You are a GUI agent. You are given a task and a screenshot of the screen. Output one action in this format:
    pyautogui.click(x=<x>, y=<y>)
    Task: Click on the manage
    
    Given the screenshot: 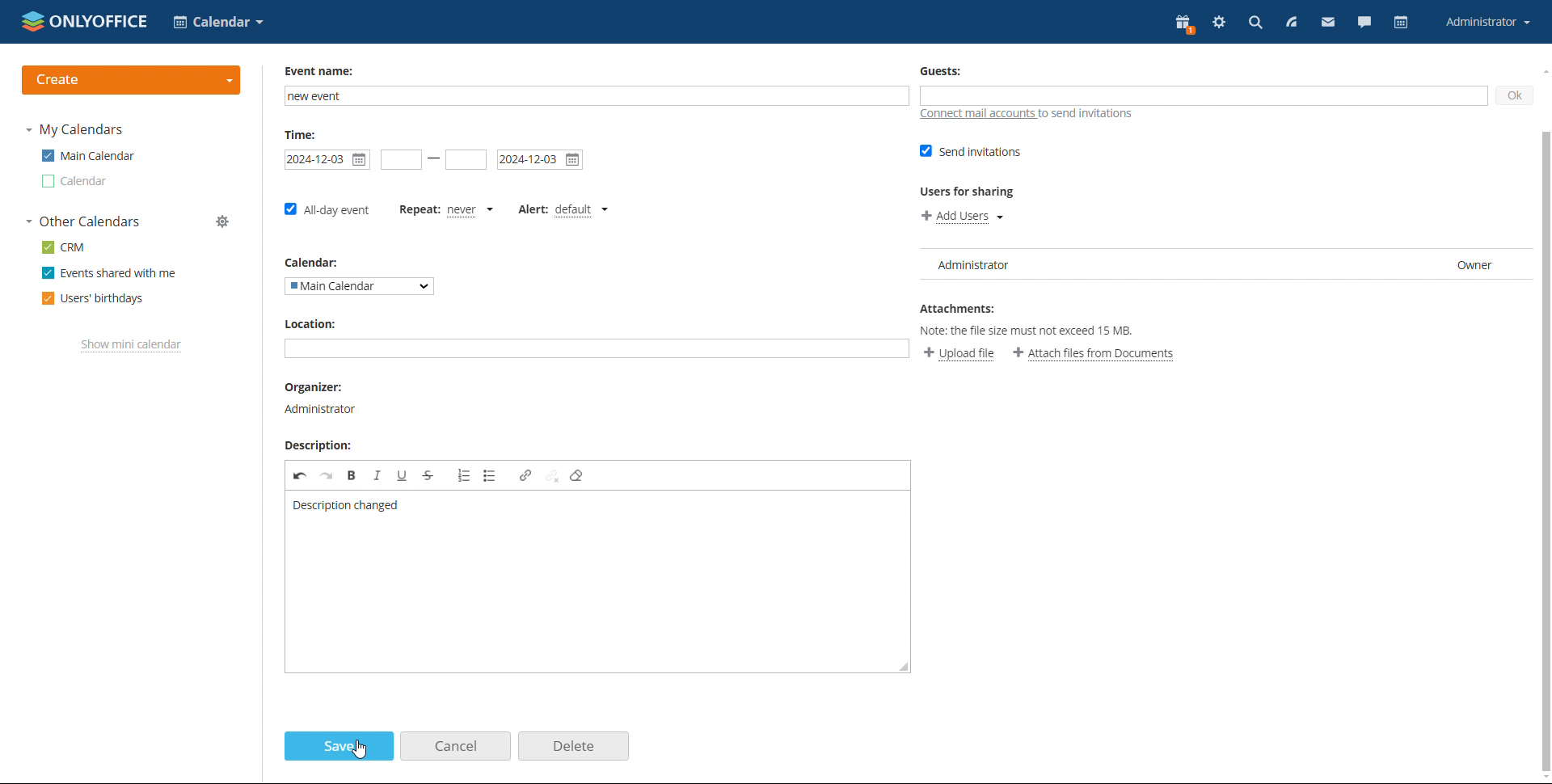 What is the action you would take?
    pyautogui.click(x=223, y=221)
    